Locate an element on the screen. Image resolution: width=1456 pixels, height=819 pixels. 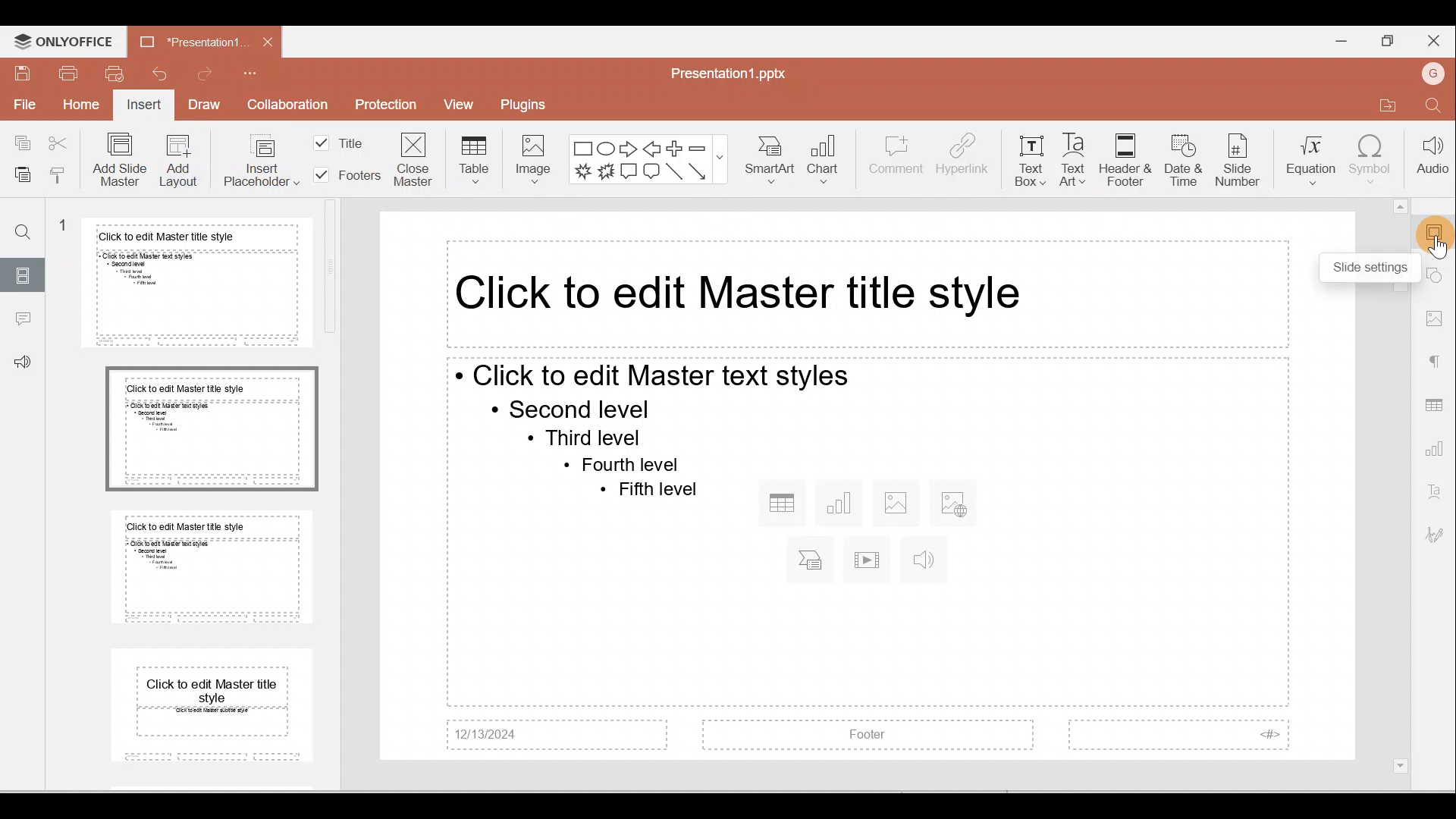
Open file location is located at coordinates (1388, 108).